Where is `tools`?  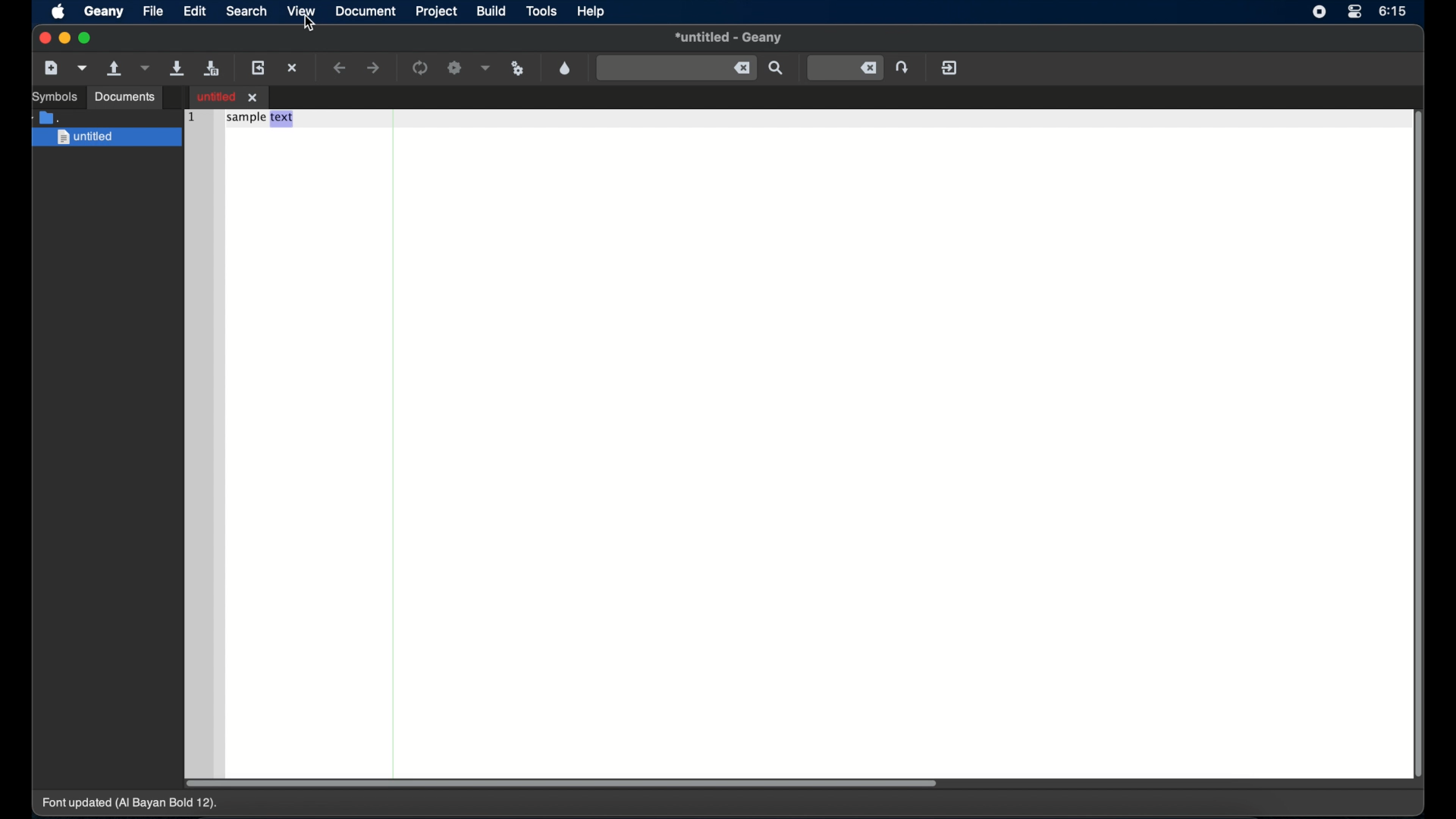
tools is located at coordinates (543, 12).